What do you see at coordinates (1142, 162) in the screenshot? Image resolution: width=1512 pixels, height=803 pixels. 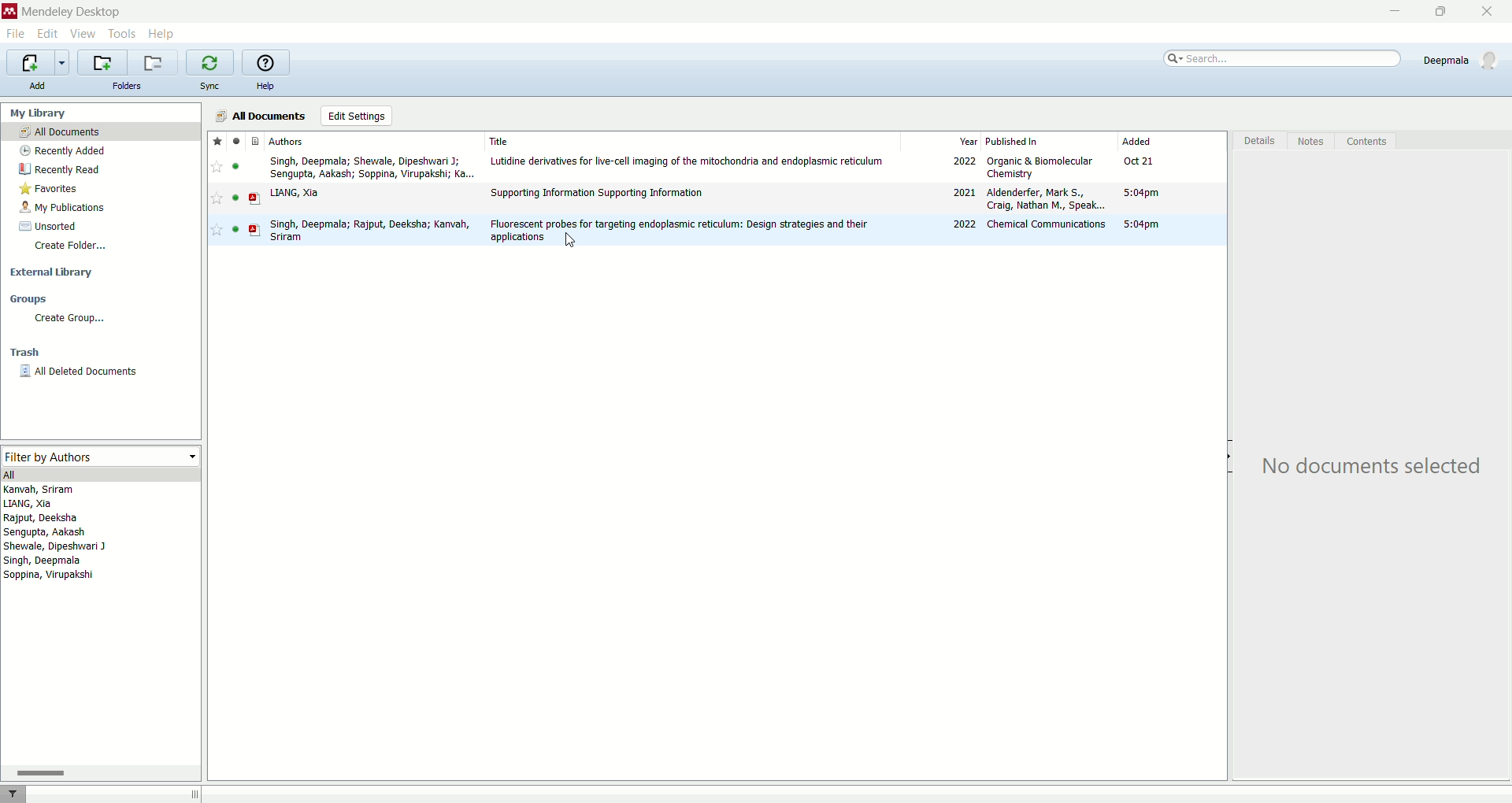 I see `Oct 21` at bounding box center [1142, 162].